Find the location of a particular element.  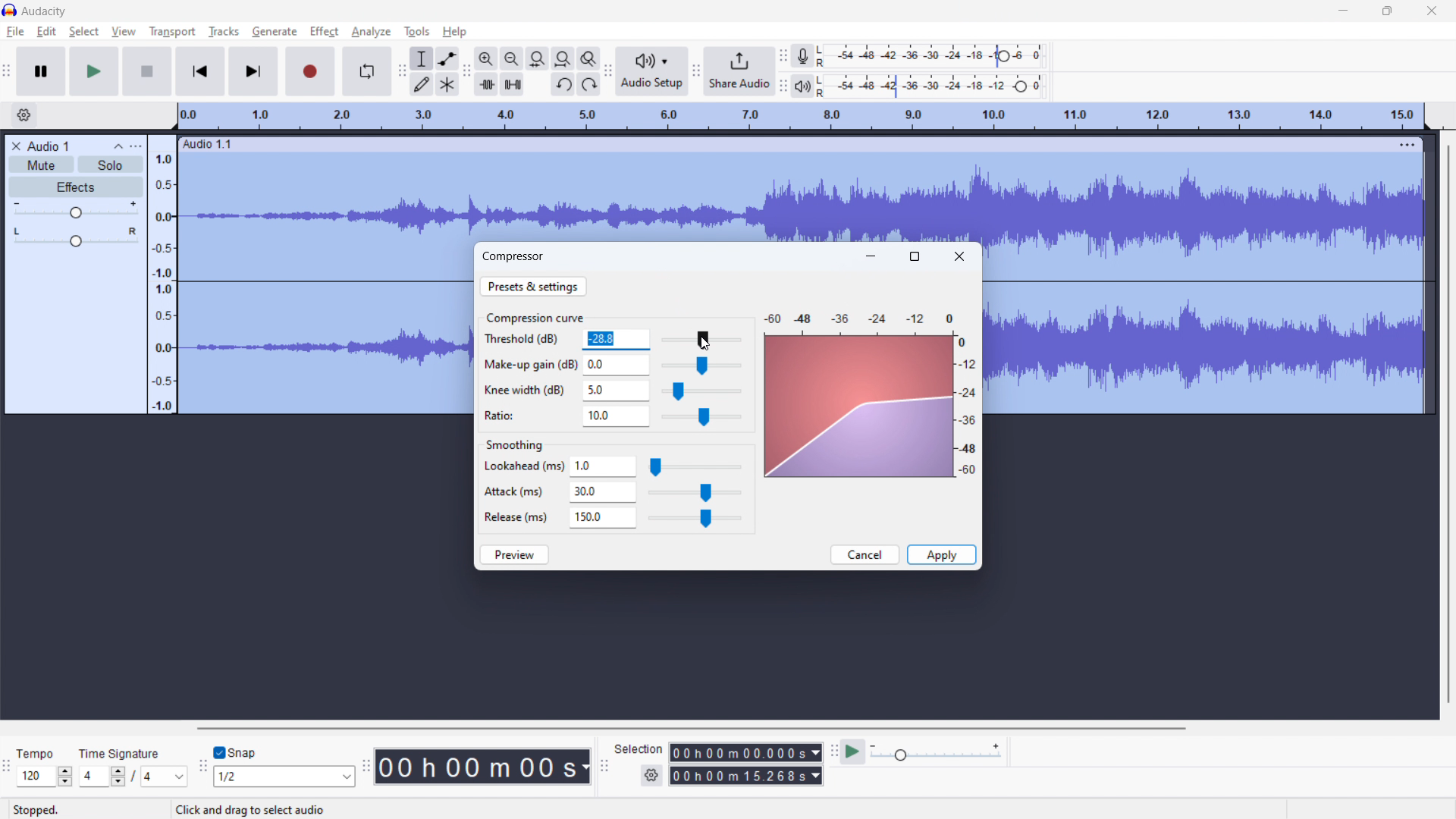

draw tool is located at coordinates (422, 85).